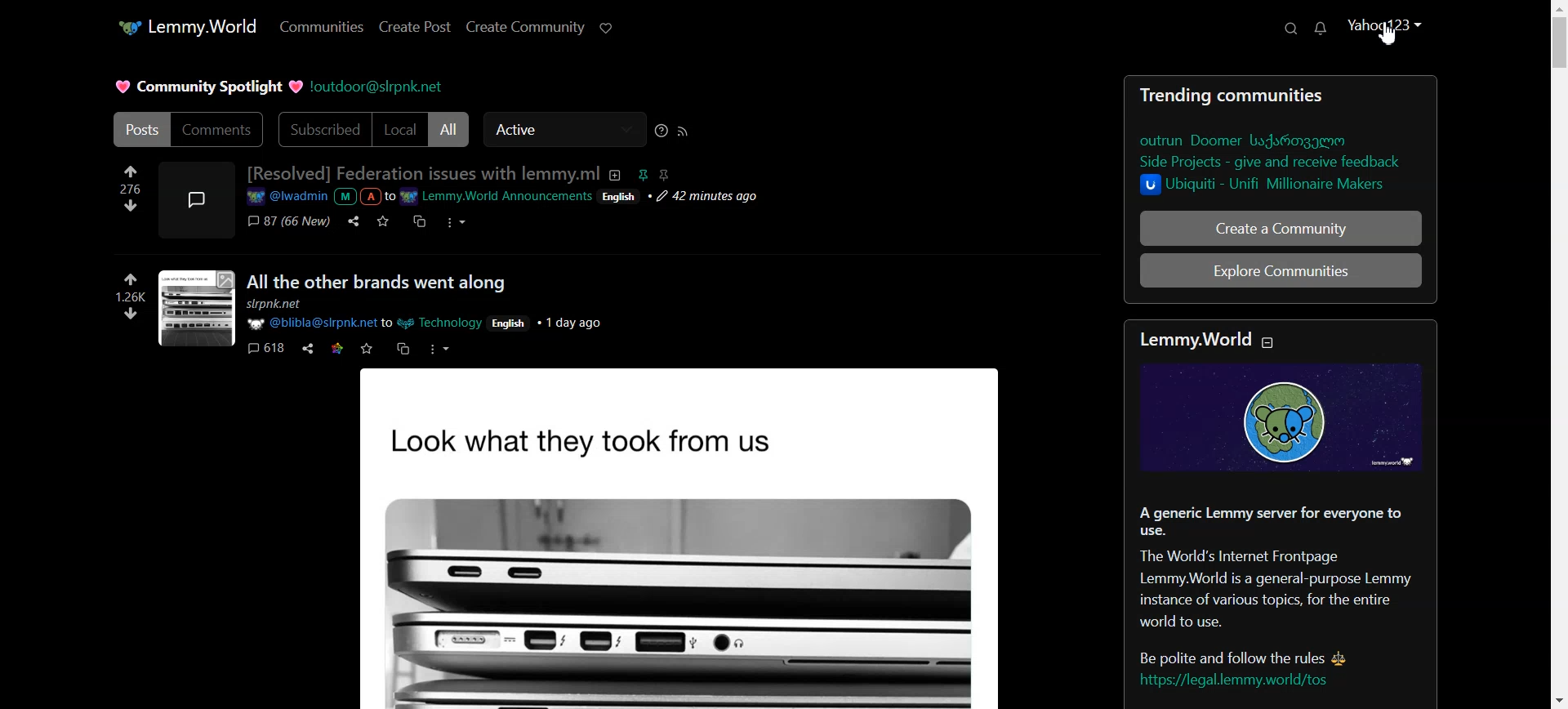 The height and width of the screenshot is (709, 1568). Describe the element at coordinates (1268, 186) in the screenshot. I see `Ubiquiti - unifi millionaire makers` at that location.